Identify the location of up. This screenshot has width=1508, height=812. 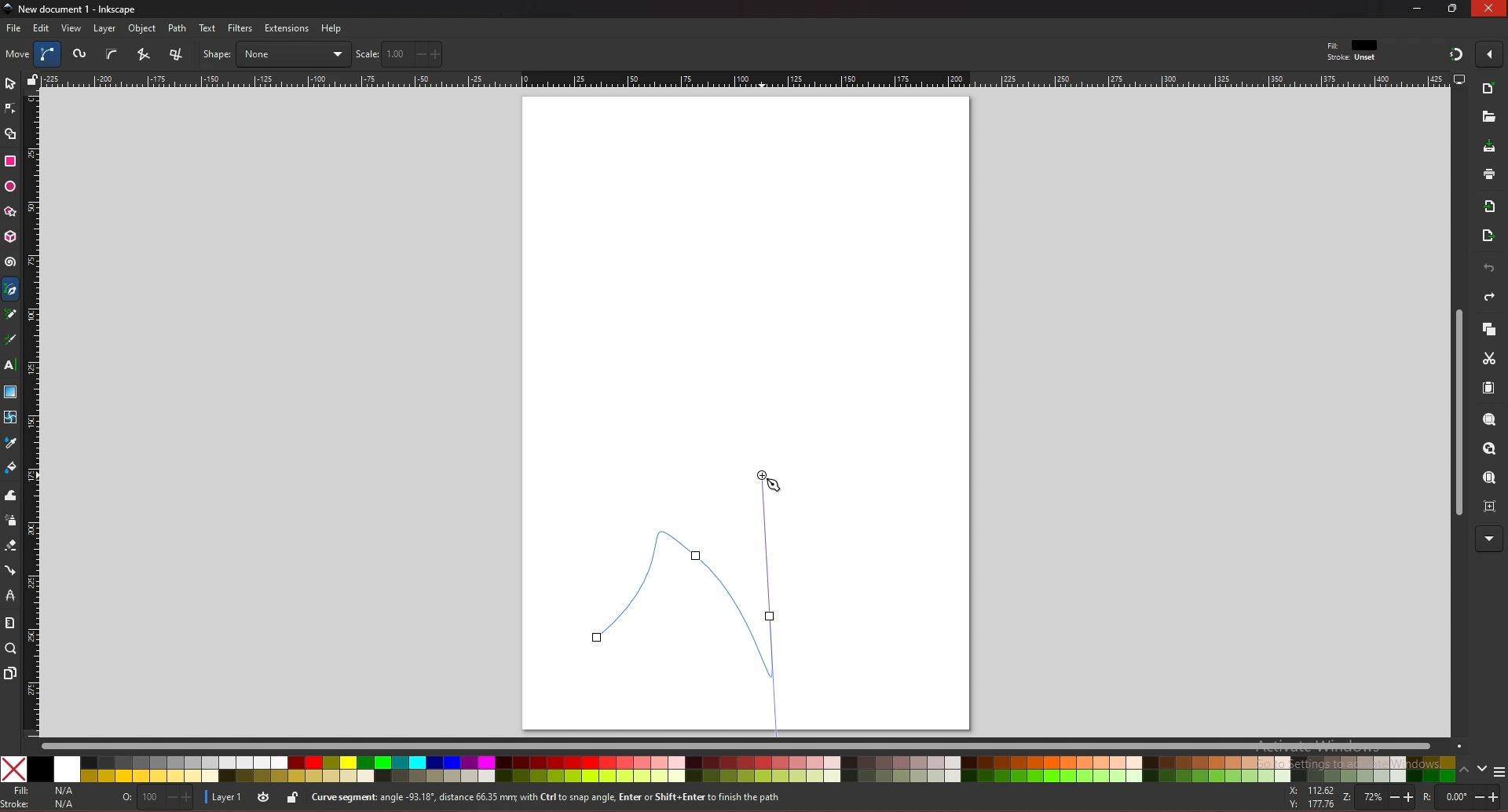
(1465, 772).